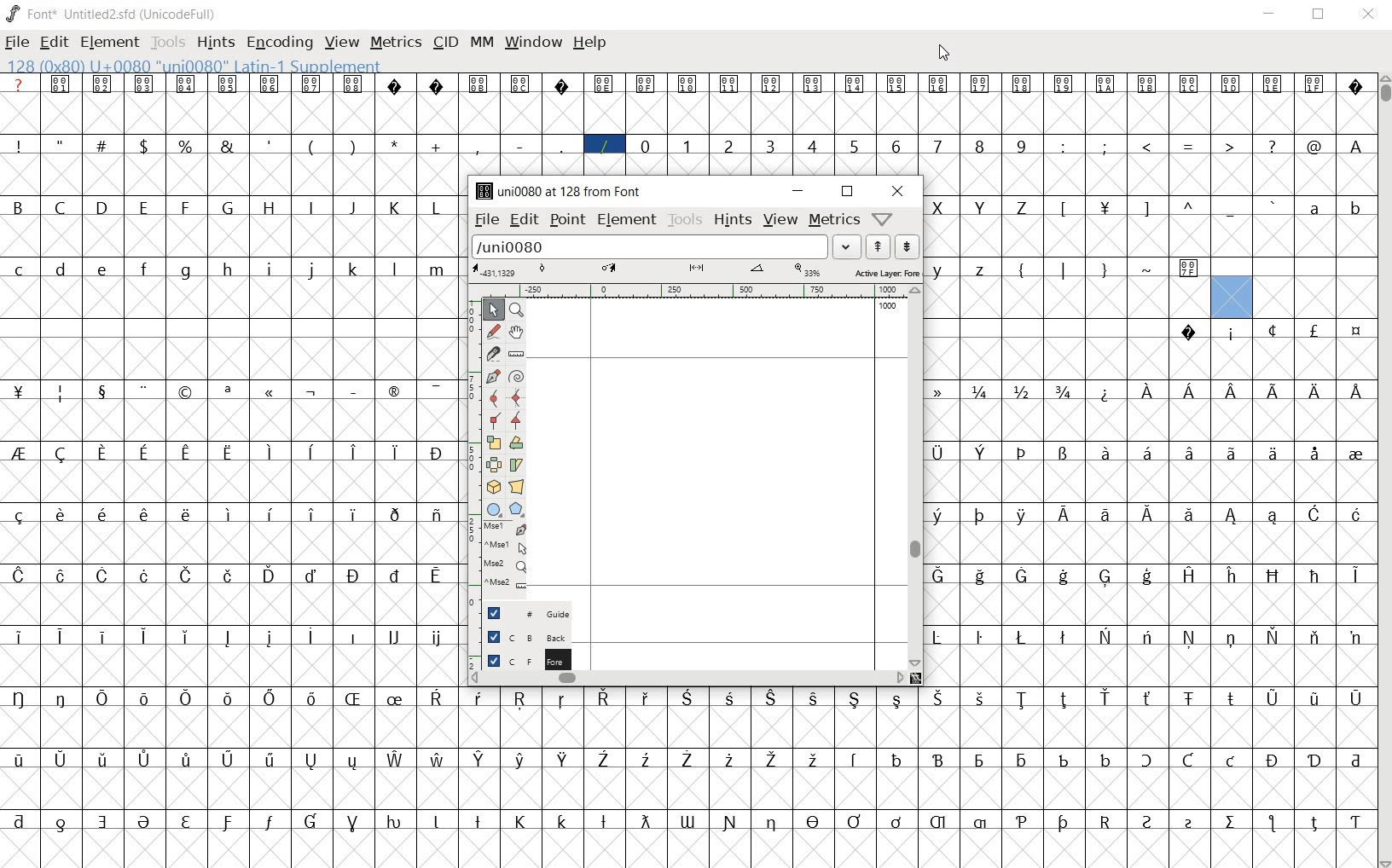 This screenshot has width=1392, height=868. What do you see at coordinates (520, 699) in the screenshot?
I see `glyph` at bounding box center [520, 699].